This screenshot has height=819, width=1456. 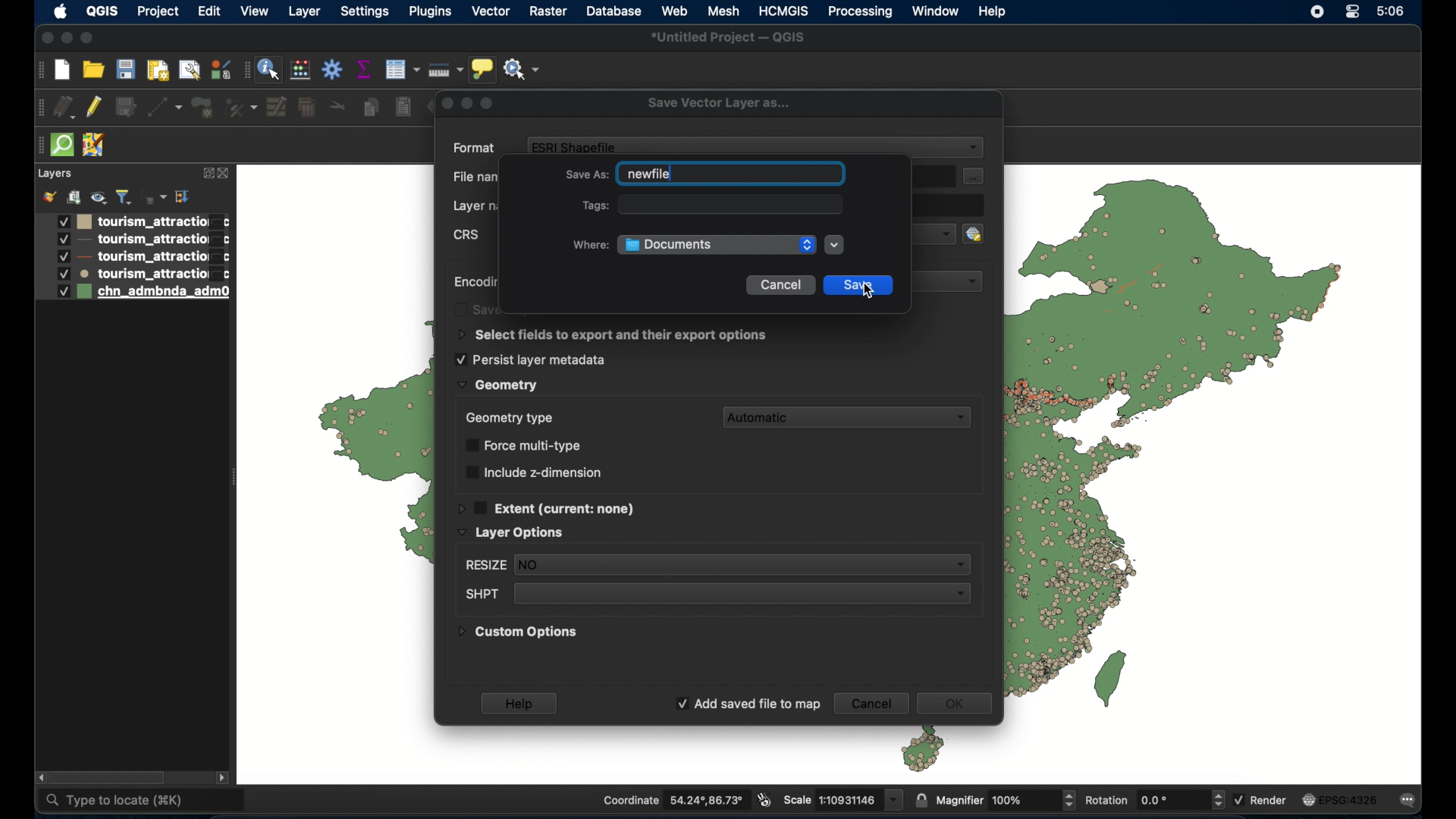 What do you see at coordinates (209, 13) in the screenshot?
I see `edit` at bounding box center [209, 13].